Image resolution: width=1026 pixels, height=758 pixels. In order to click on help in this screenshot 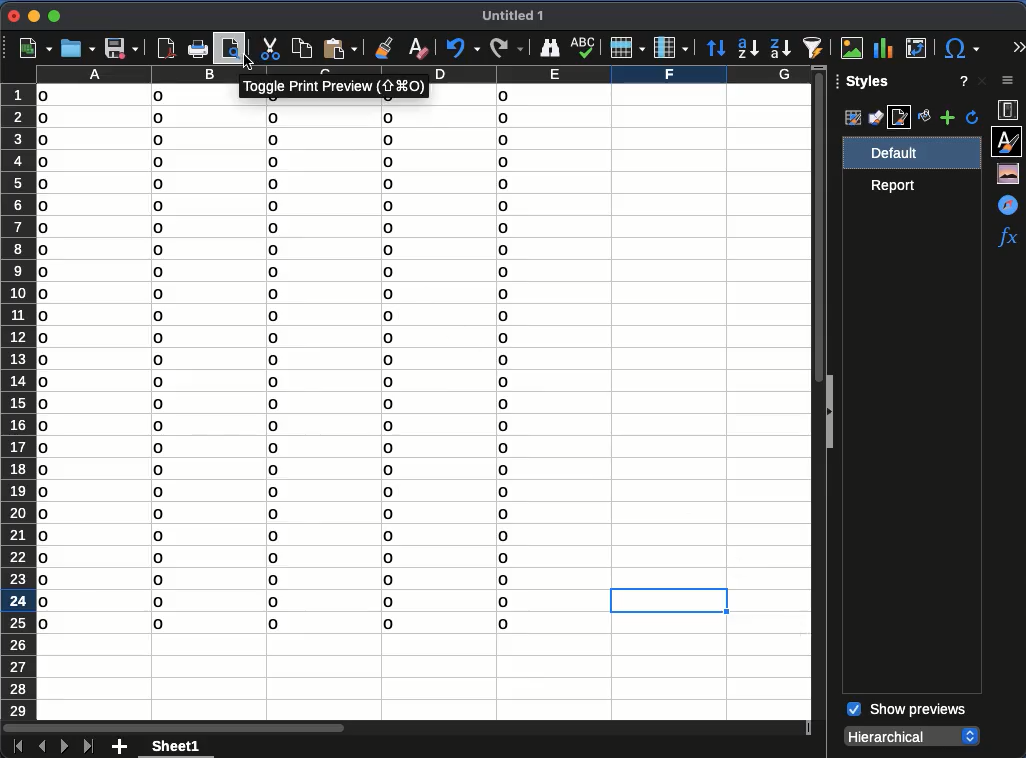, I will do `click(961, 81)`.